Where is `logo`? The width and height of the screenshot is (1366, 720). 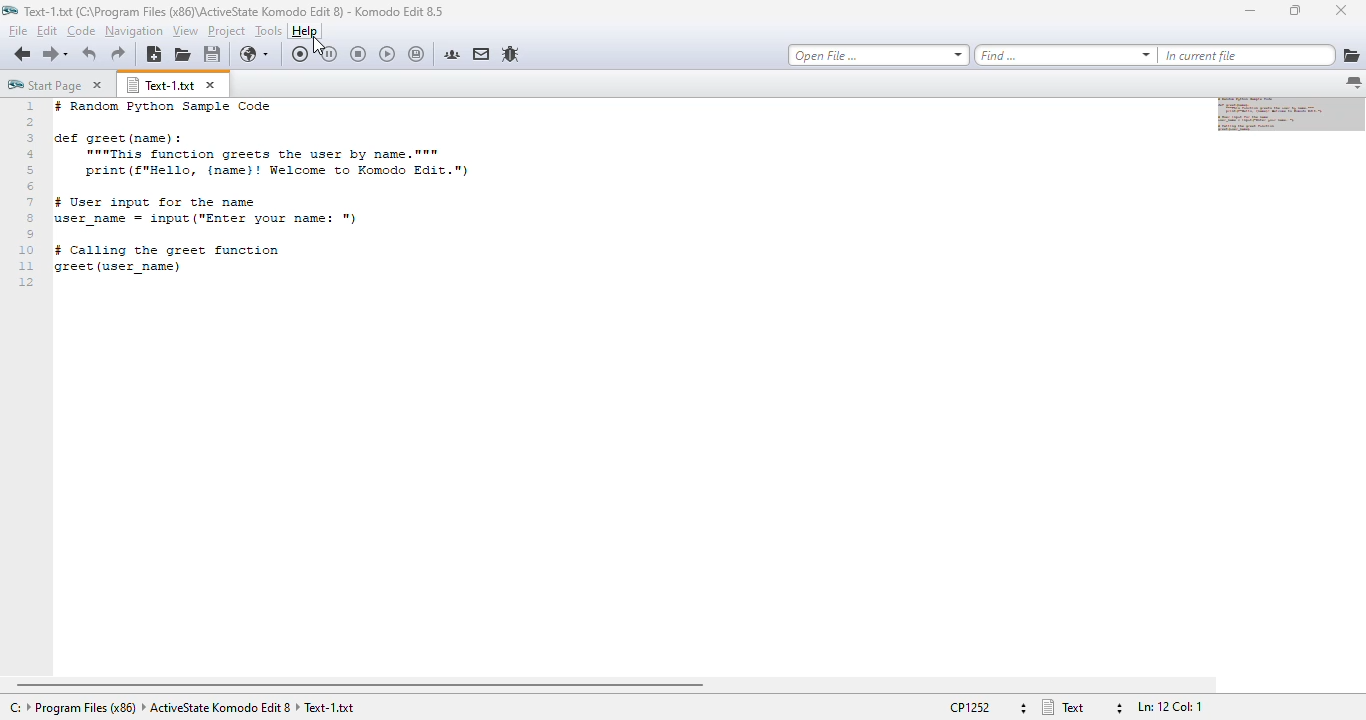
logo is located at coordinates (10, 10).